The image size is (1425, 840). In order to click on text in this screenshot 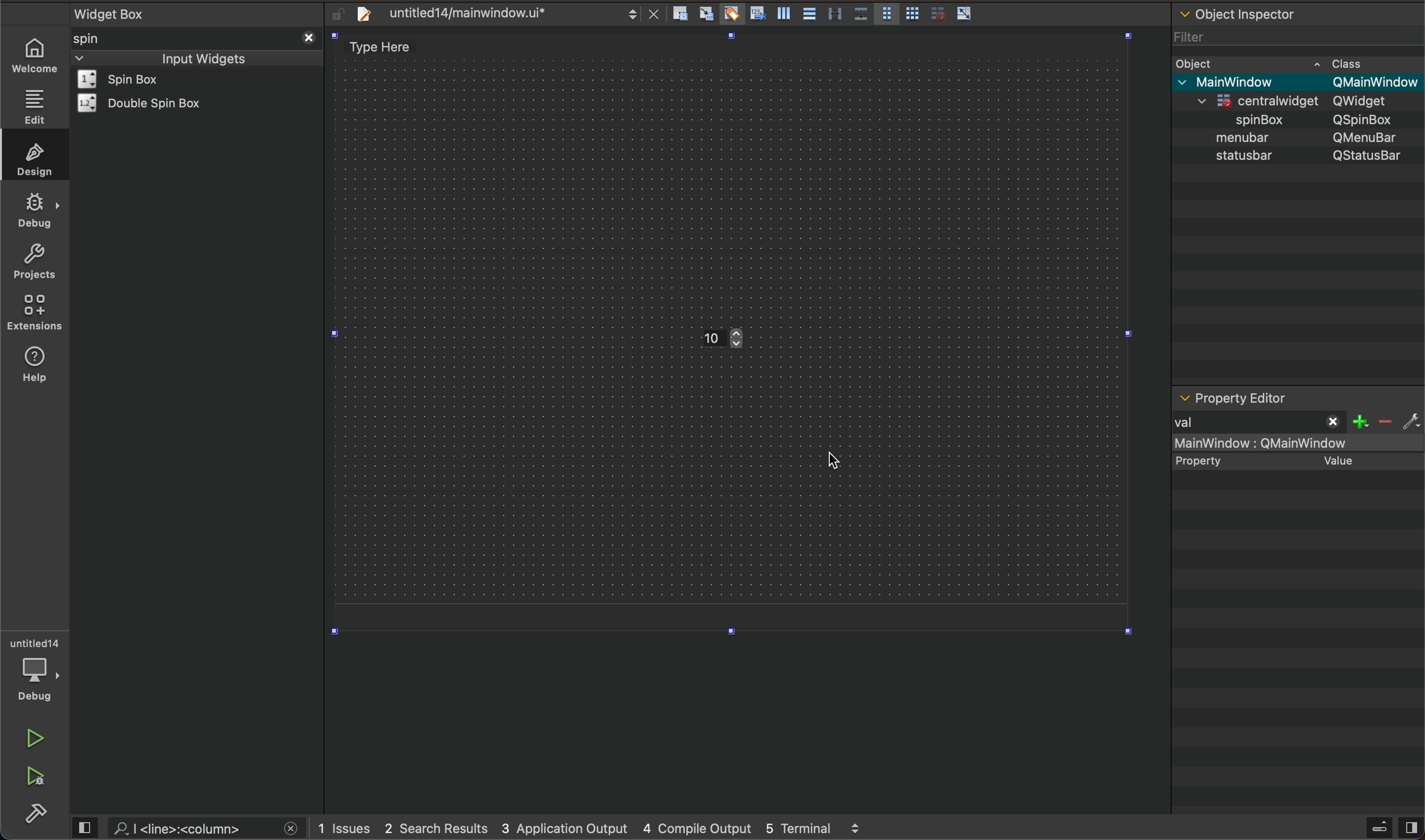, I will do `click(1334, 460)`.